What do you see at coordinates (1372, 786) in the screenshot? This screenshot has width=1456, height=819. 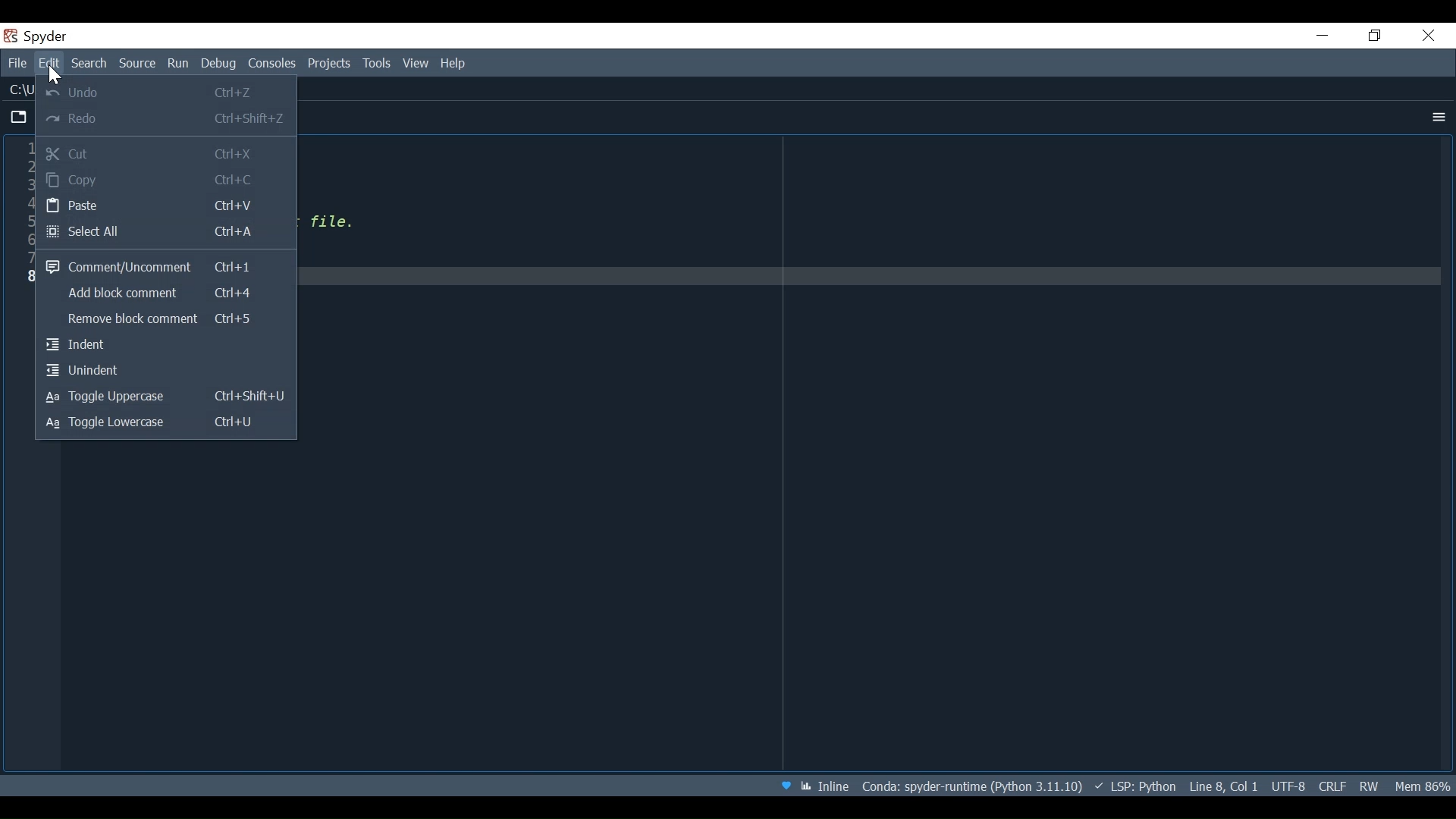 I see `File Permission` at bounding box center [1372, 786].